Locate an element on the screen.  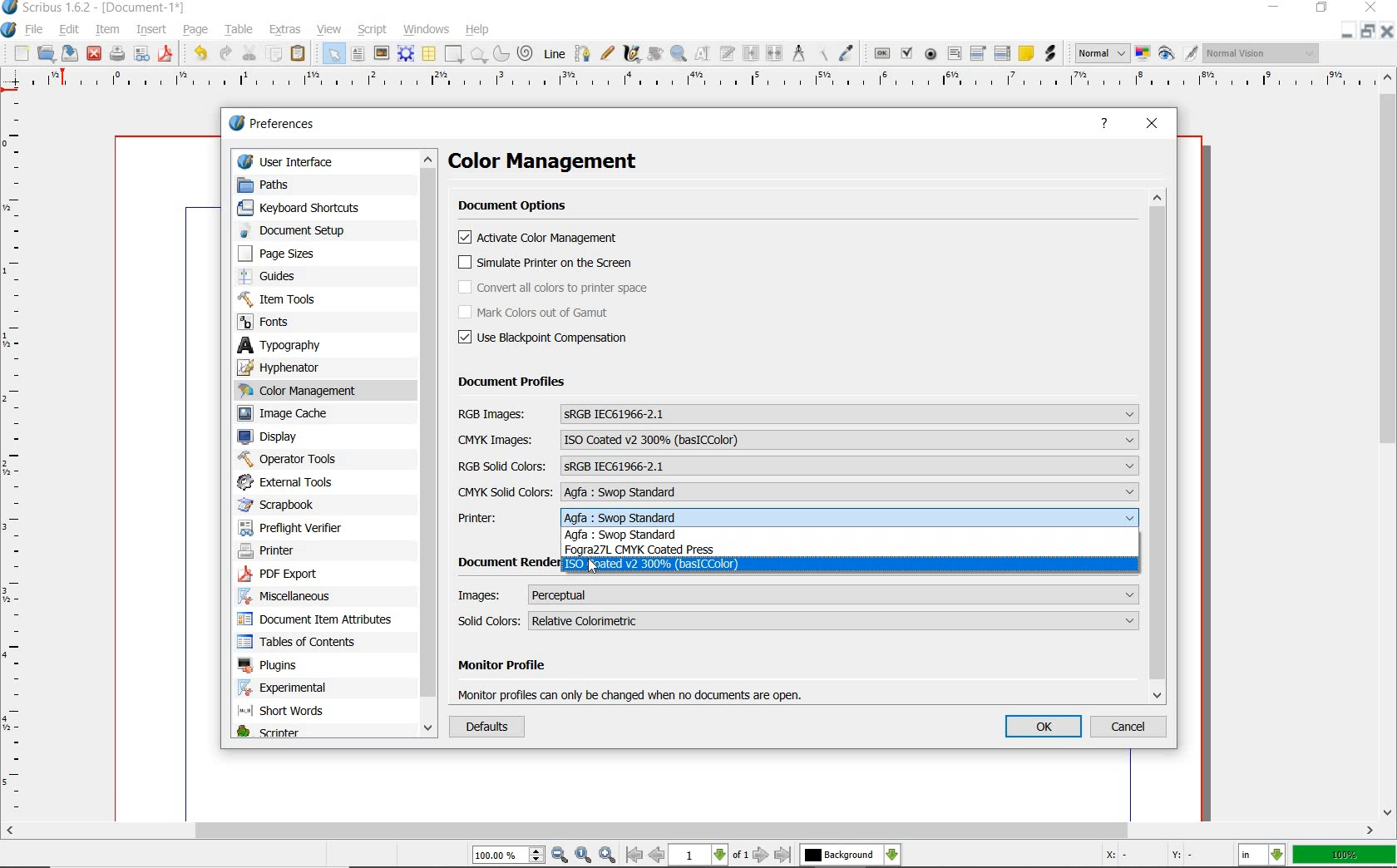
page sizes is located at coordinates (290, 254).